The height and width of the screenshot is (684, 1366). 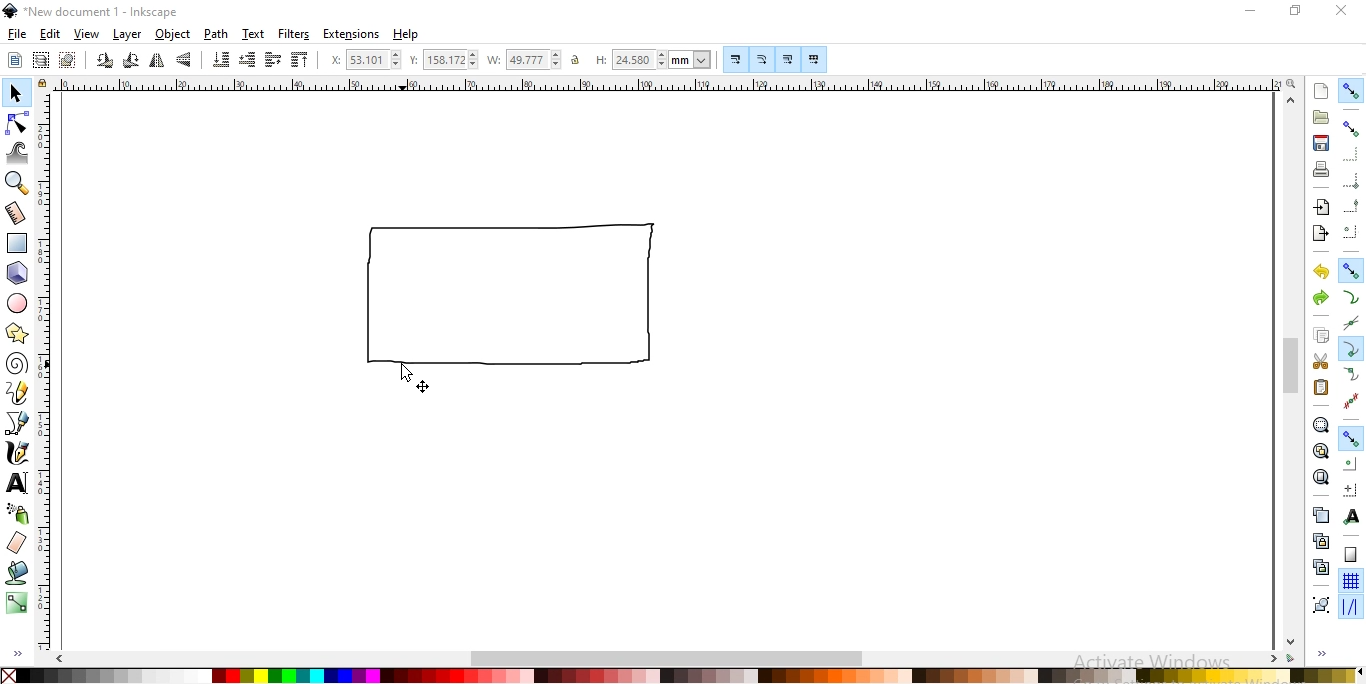 I want to click on raise selection one step, so click(x=272, y=58).